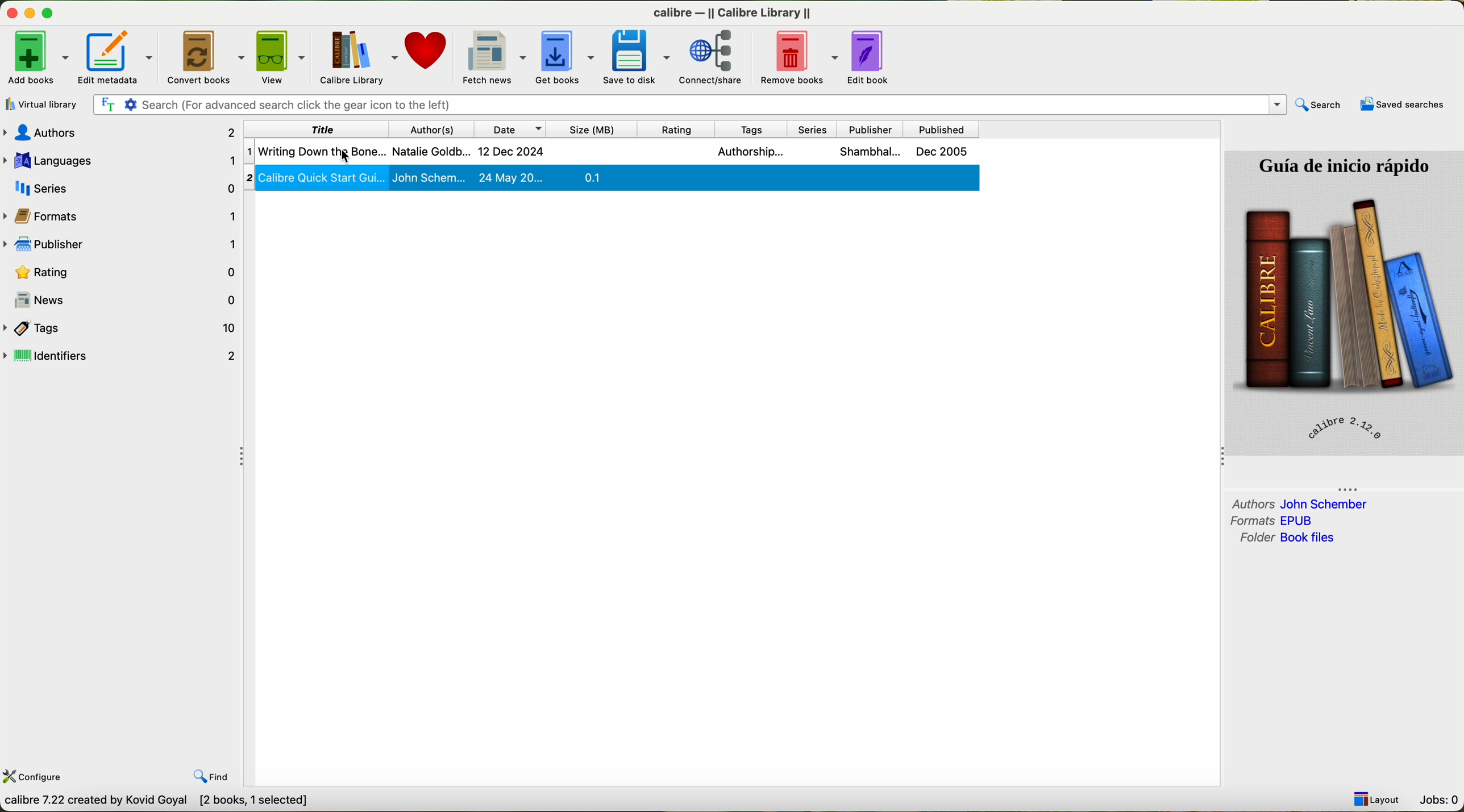 Image resolution: width=1464 pixels, height=812 pixels. I want to click on date, so click(510, 129).